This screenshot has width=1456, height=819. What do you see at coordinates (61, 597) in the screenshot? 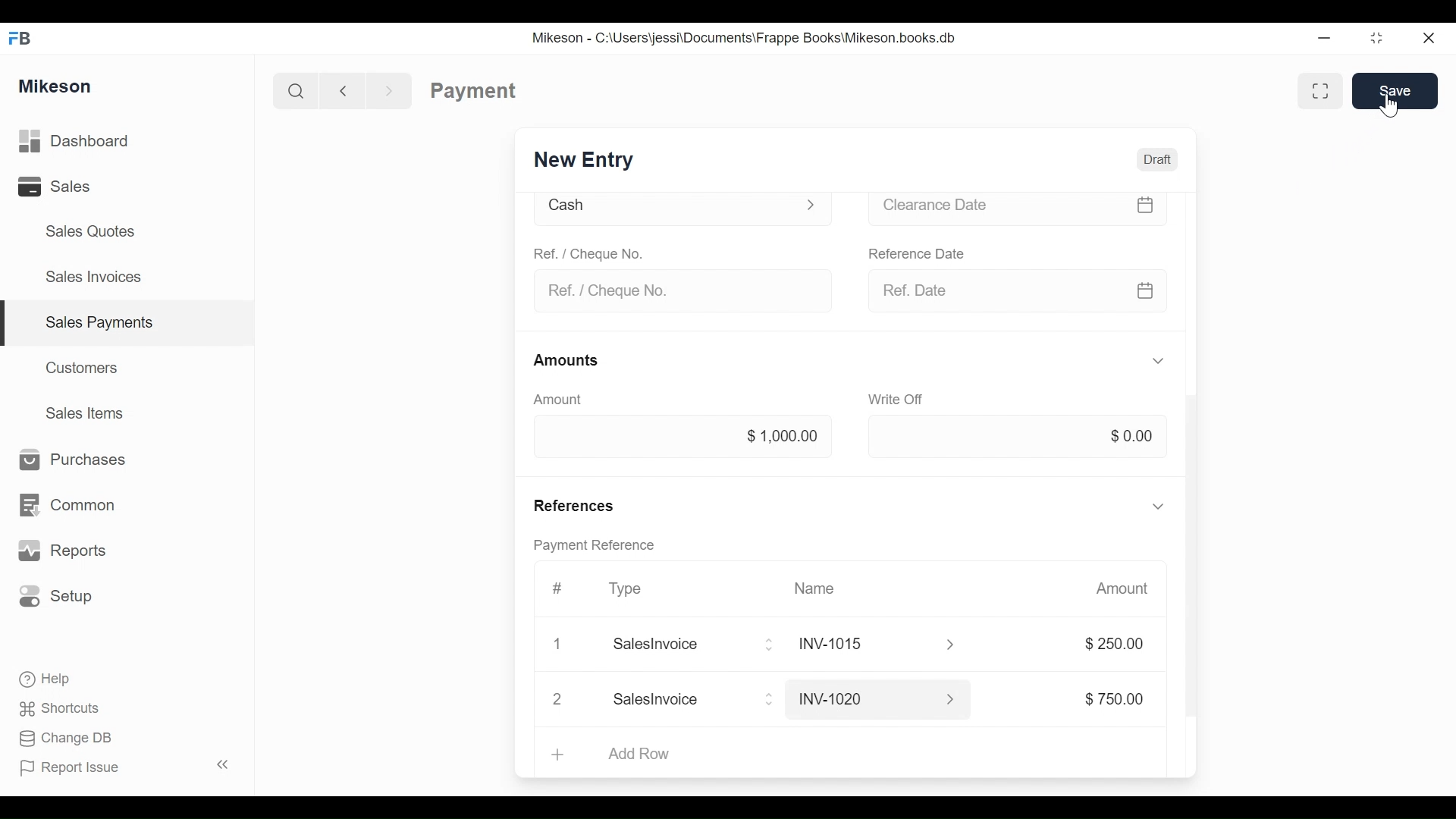
I see `Setup` at bounding box center [61, 597].